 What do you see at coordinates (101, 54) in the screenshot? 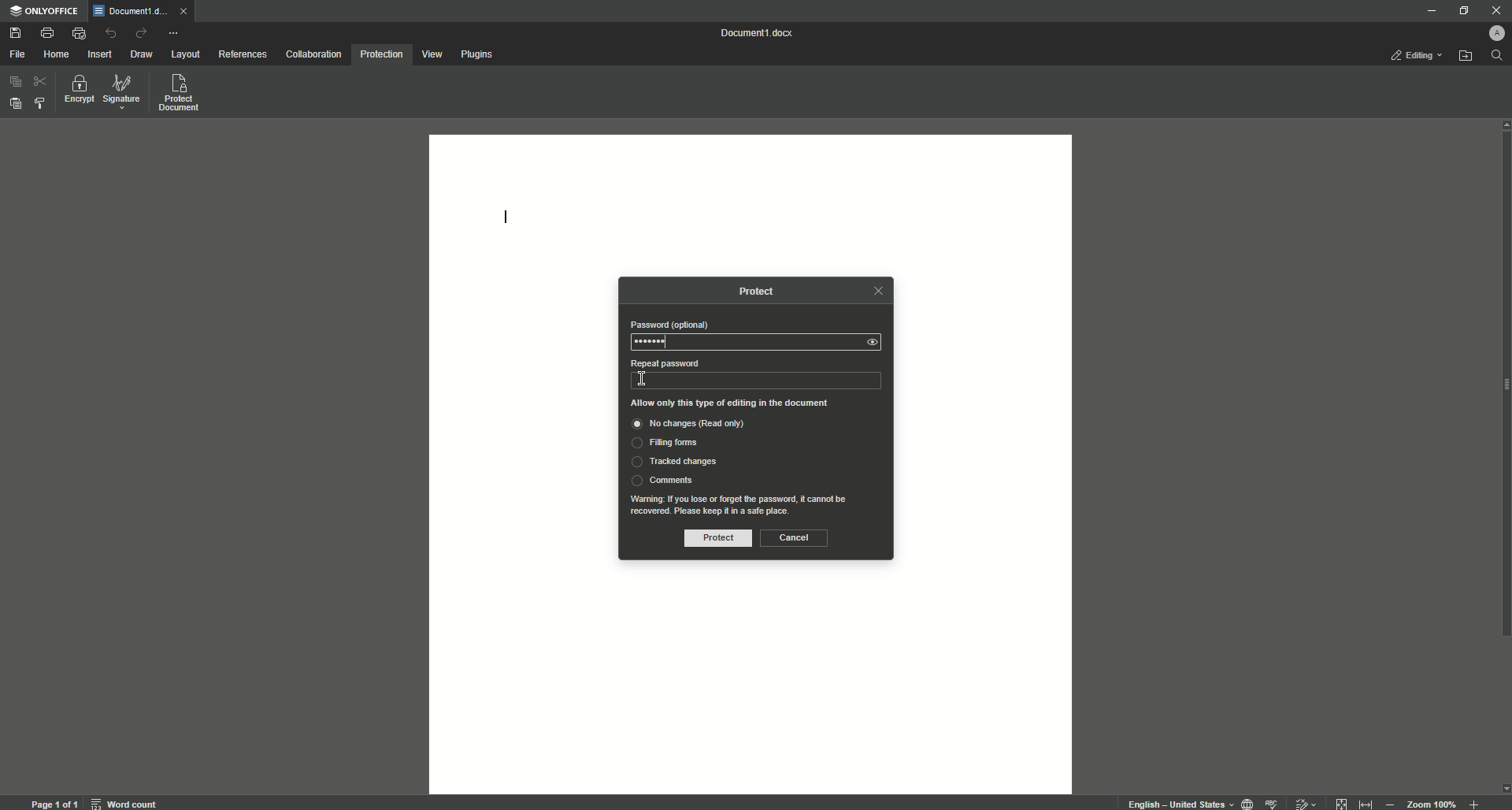
I see `Insert` at bounding box center [101, 54].